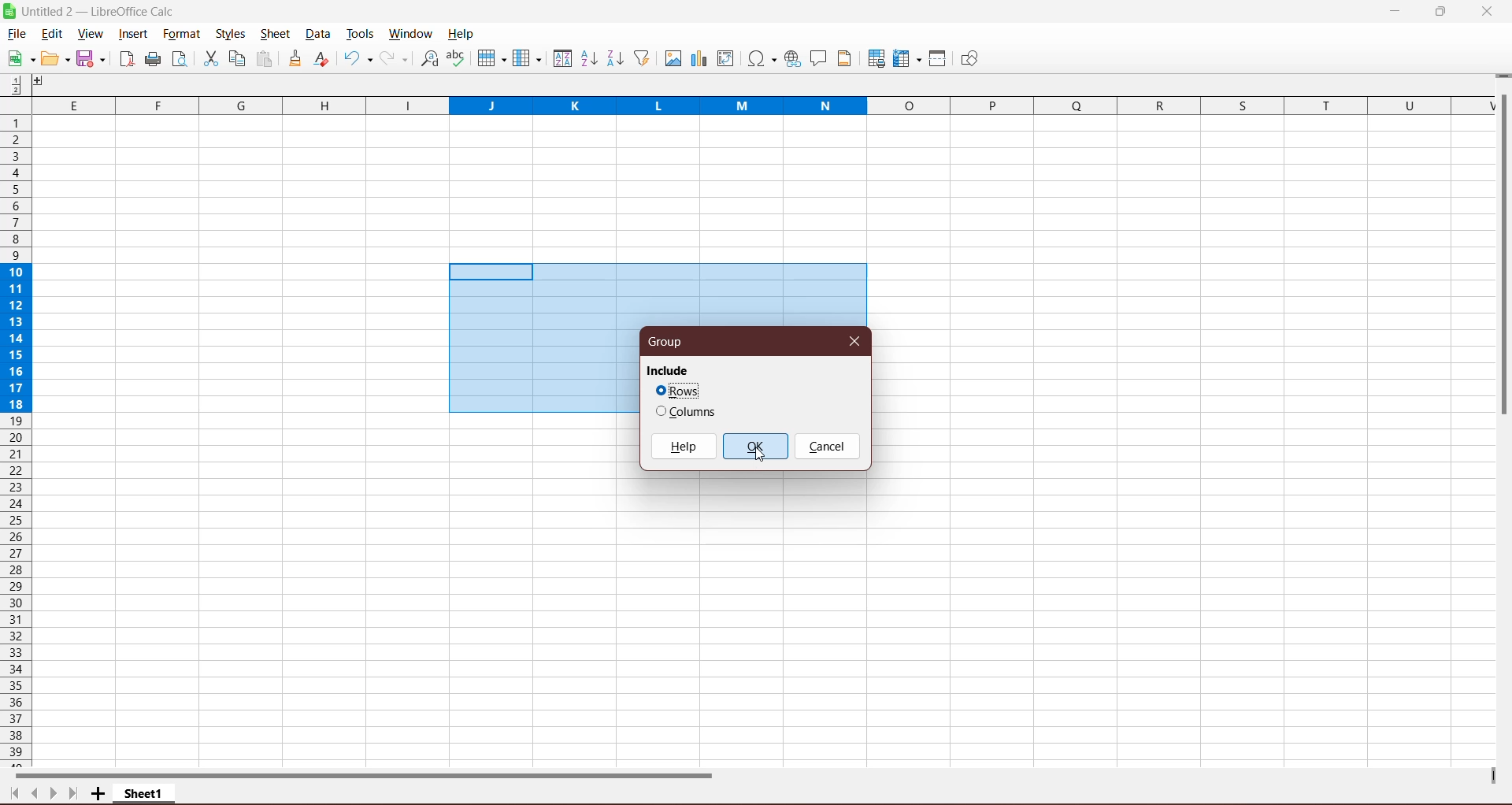 The width and height of the screenshot is (1512, 805). Describe the element at coordinates (410, 33) in the screenshot. I see `Window` at that location.